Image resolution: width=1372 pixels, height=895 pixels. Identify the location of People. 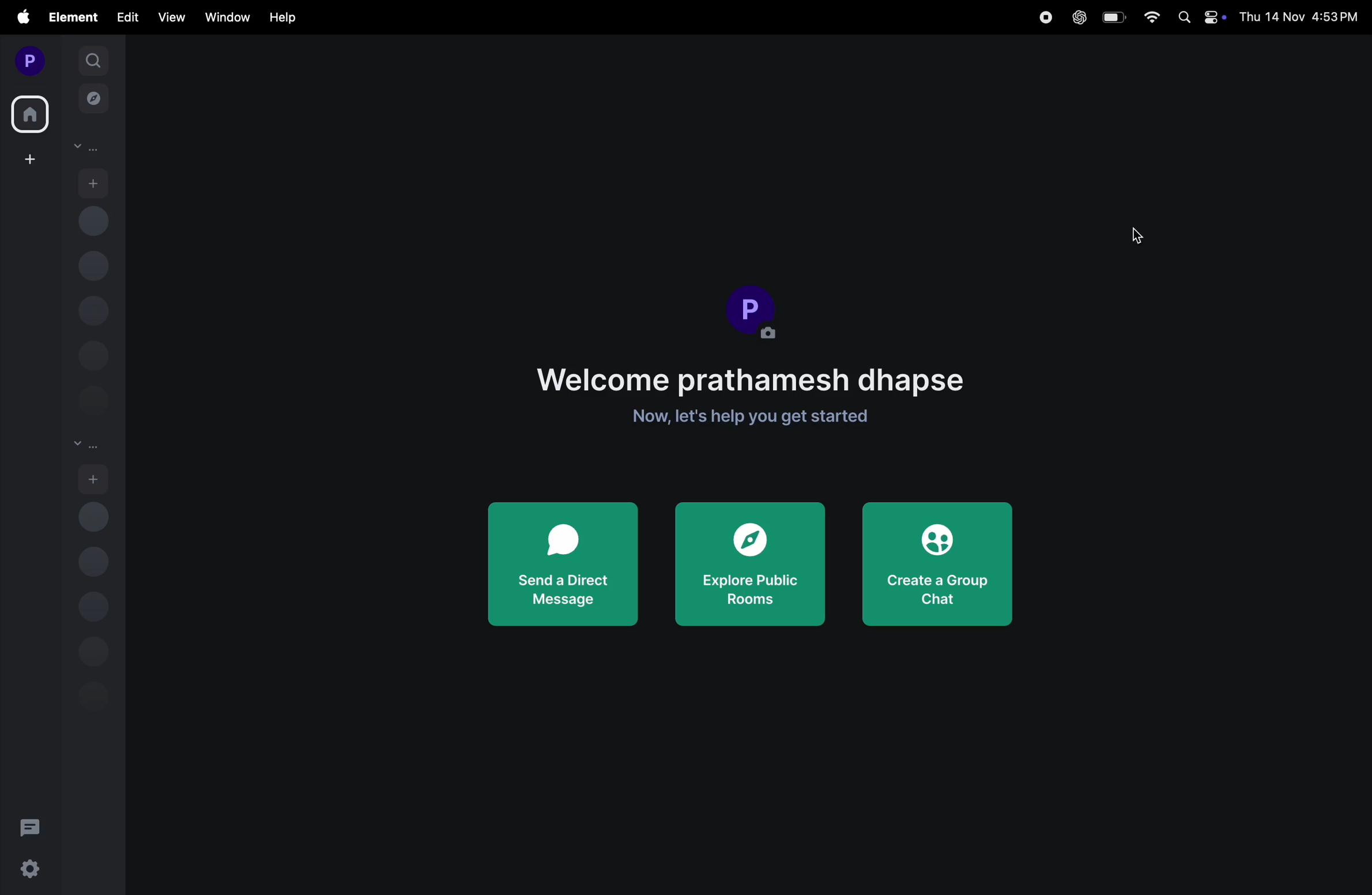
(91, 148).